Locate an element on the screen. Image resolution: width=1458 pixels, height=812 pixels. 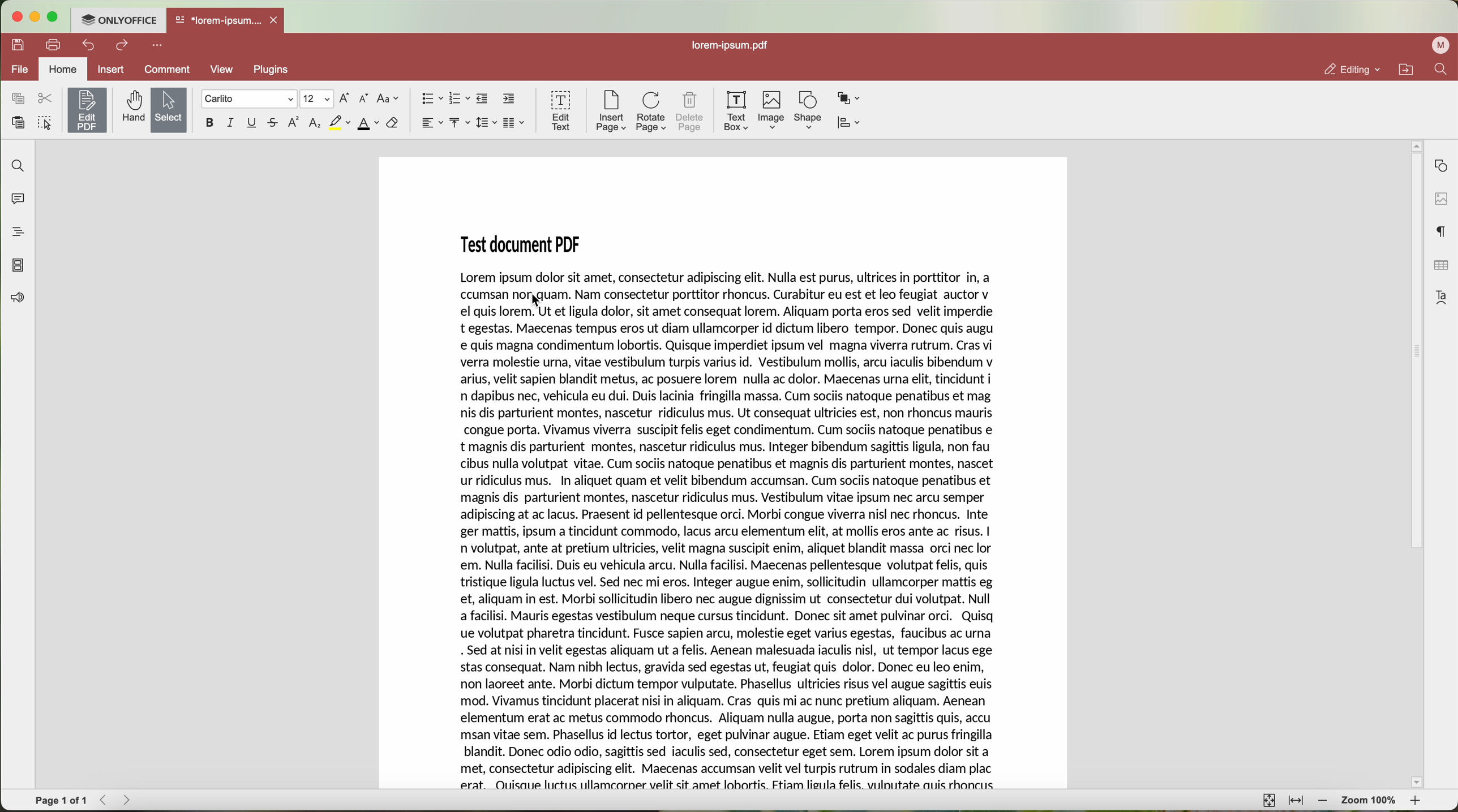
hand is located at coordinates (131, 110).